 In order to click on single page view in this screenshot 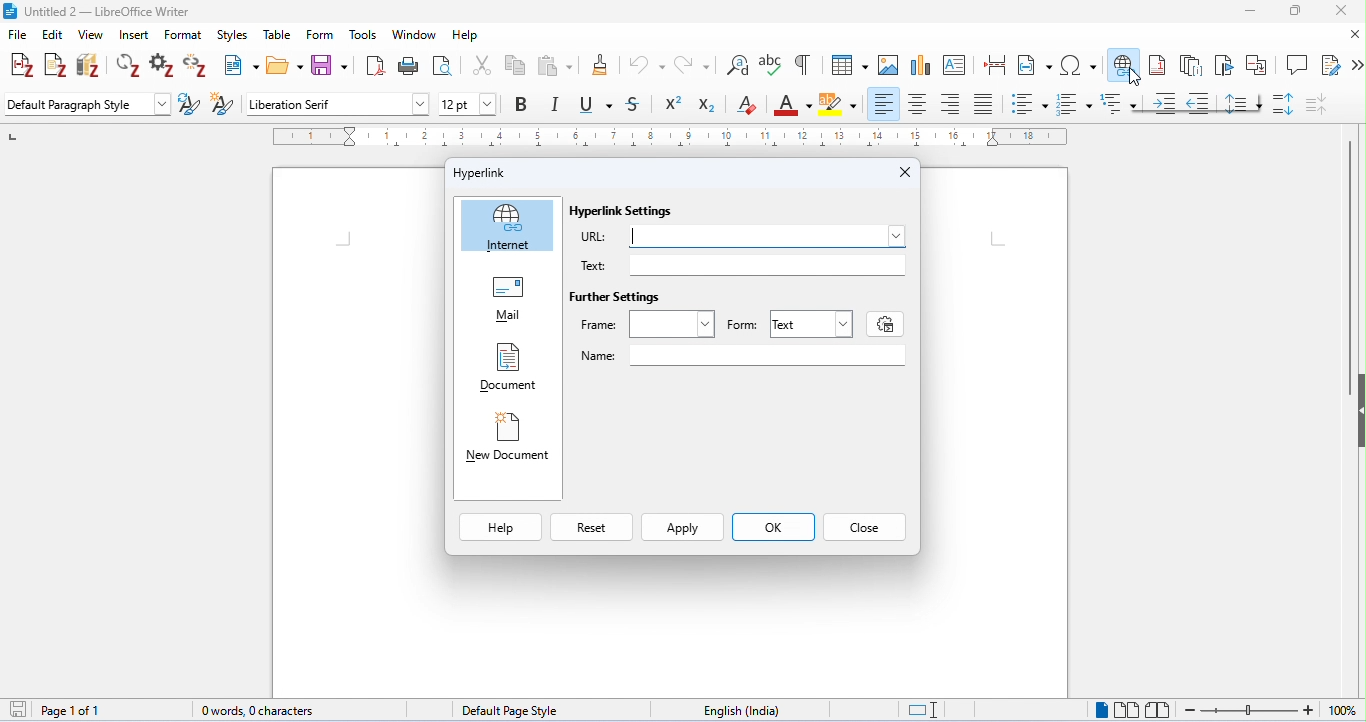, I will do `click(1099, 710)`.